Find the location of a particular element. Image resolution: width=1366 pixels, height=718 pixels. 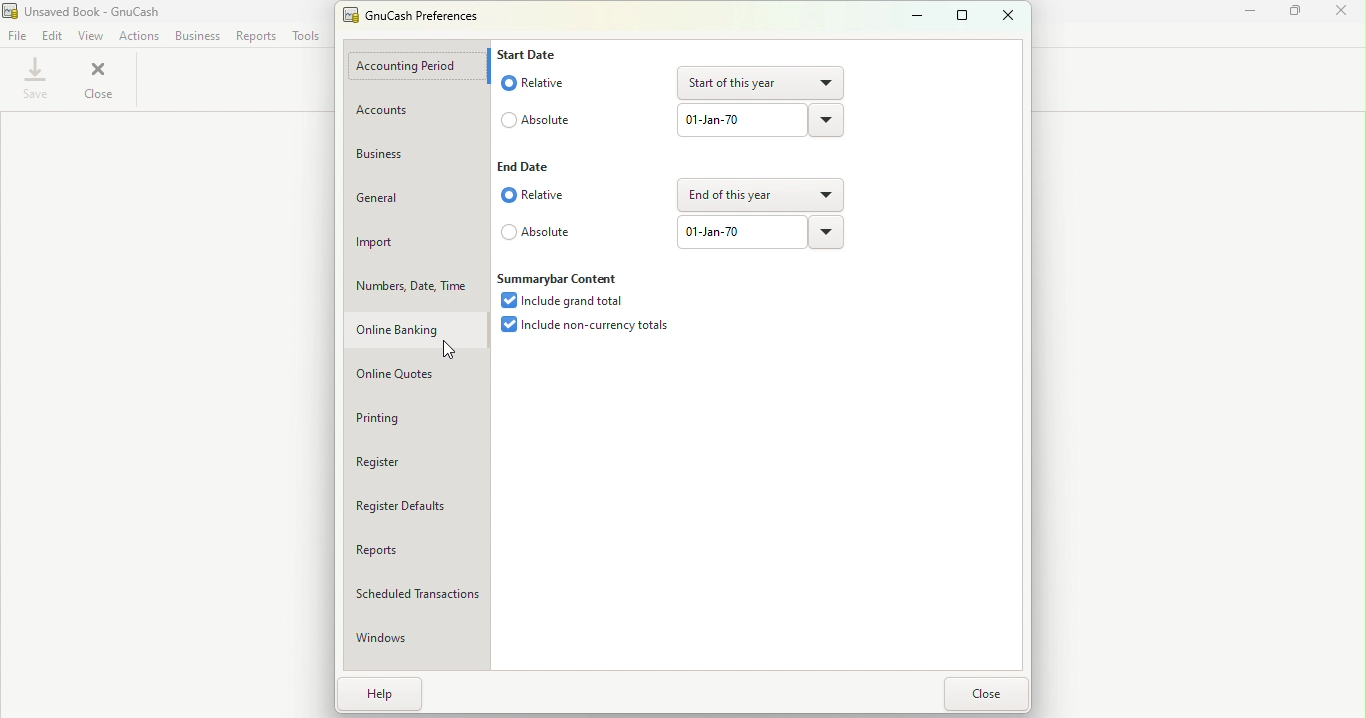

close is located at coordinates (1006, 17).